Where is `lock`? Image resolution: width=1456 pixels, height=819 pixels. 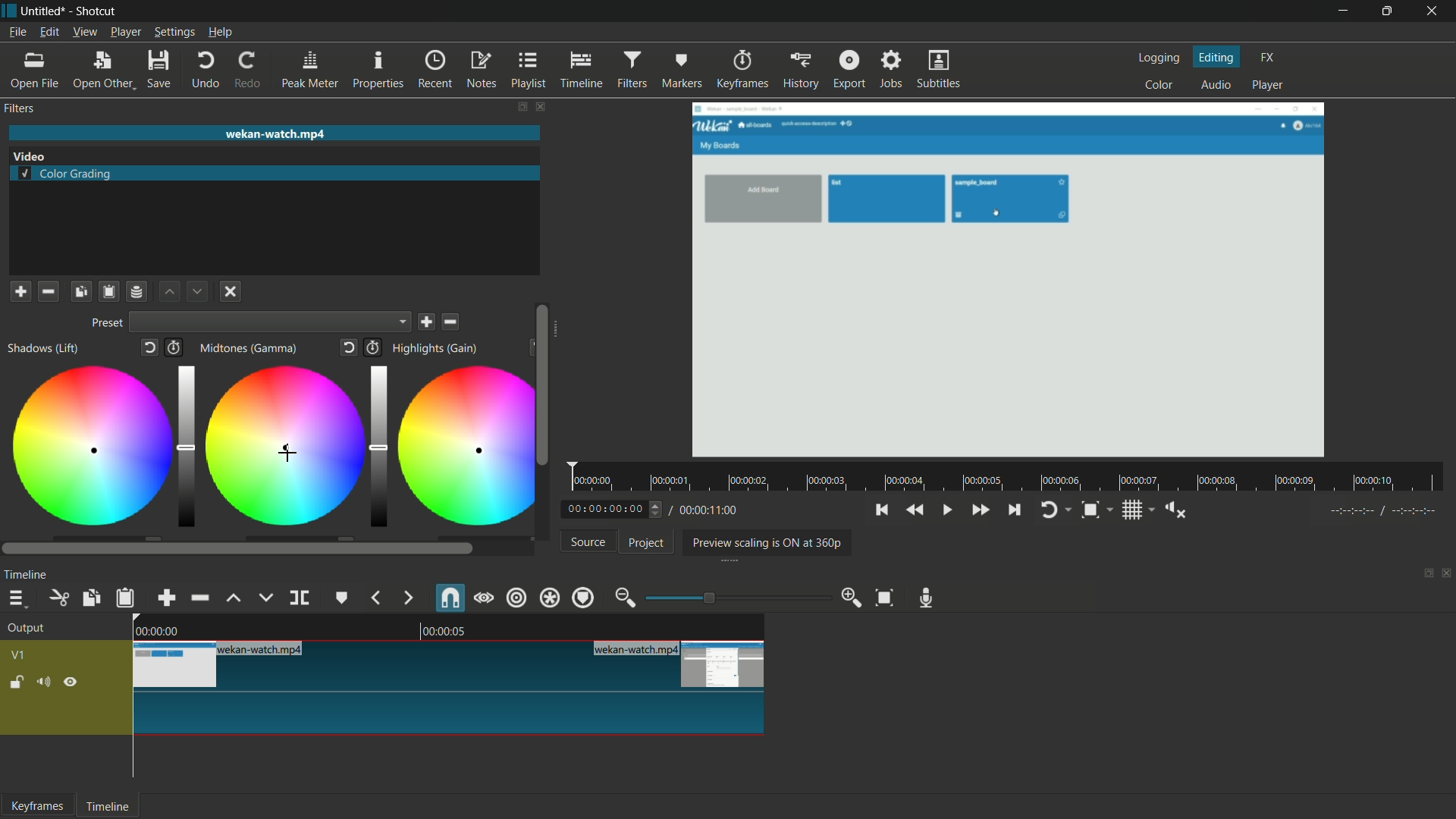
lock is located at coordinates (17, 684).